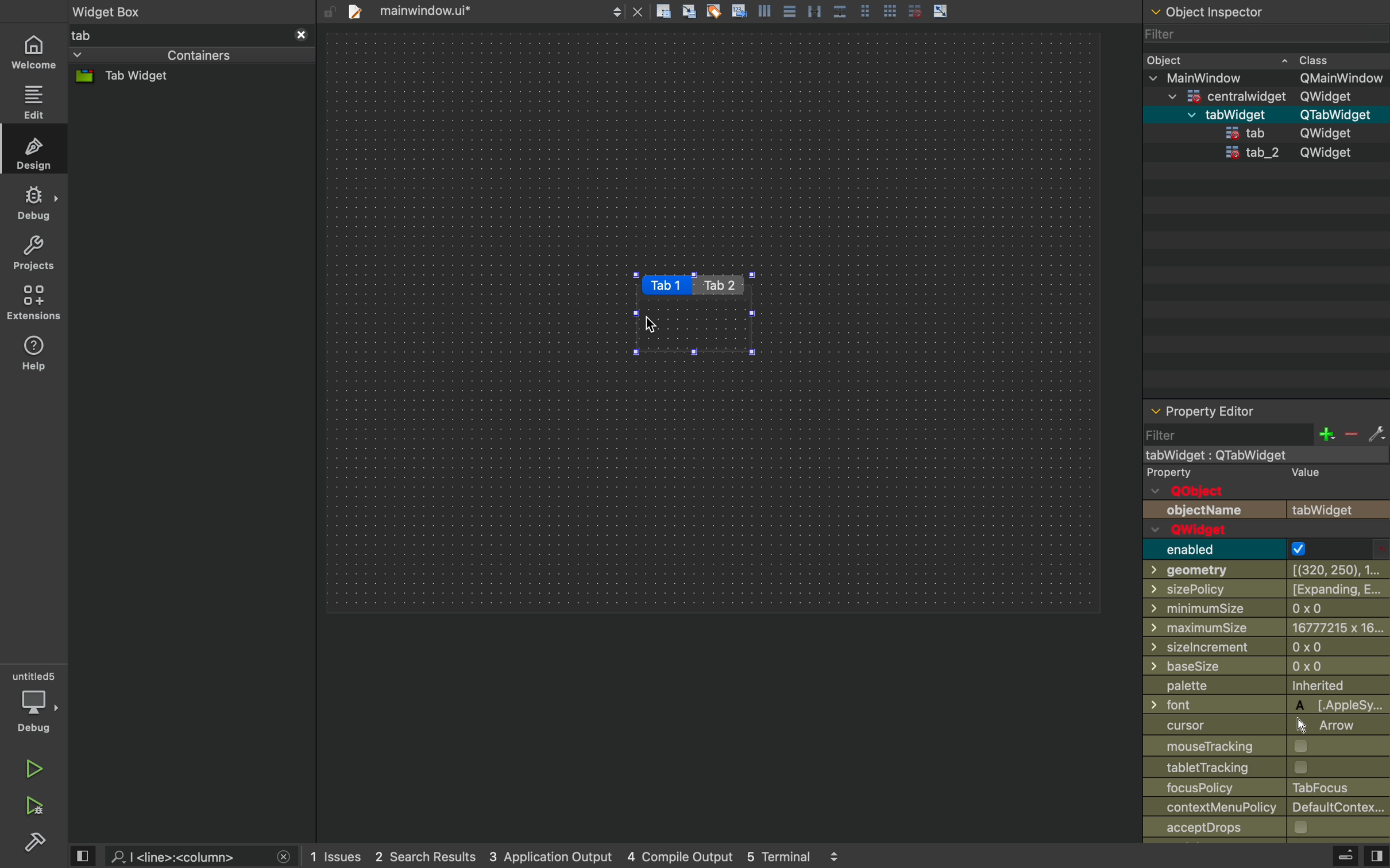 Image resolution: width=1390 pixels, height=868 pixels. Describe the element at coordinates (689, 284) in the screenshot. I see `tab1 tab2` at that location.